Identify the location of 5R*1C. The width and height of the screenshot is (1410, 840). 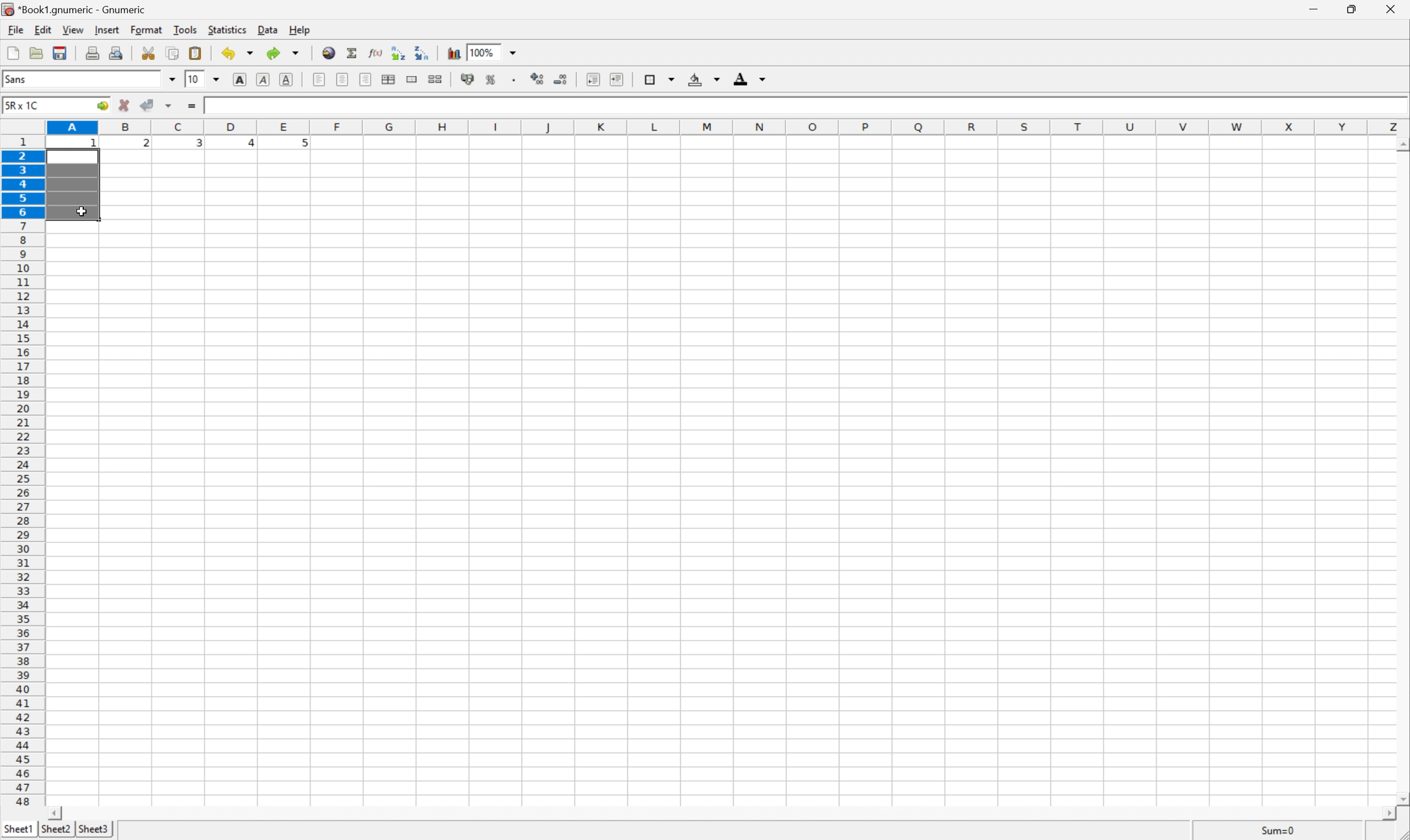
(25, 105).